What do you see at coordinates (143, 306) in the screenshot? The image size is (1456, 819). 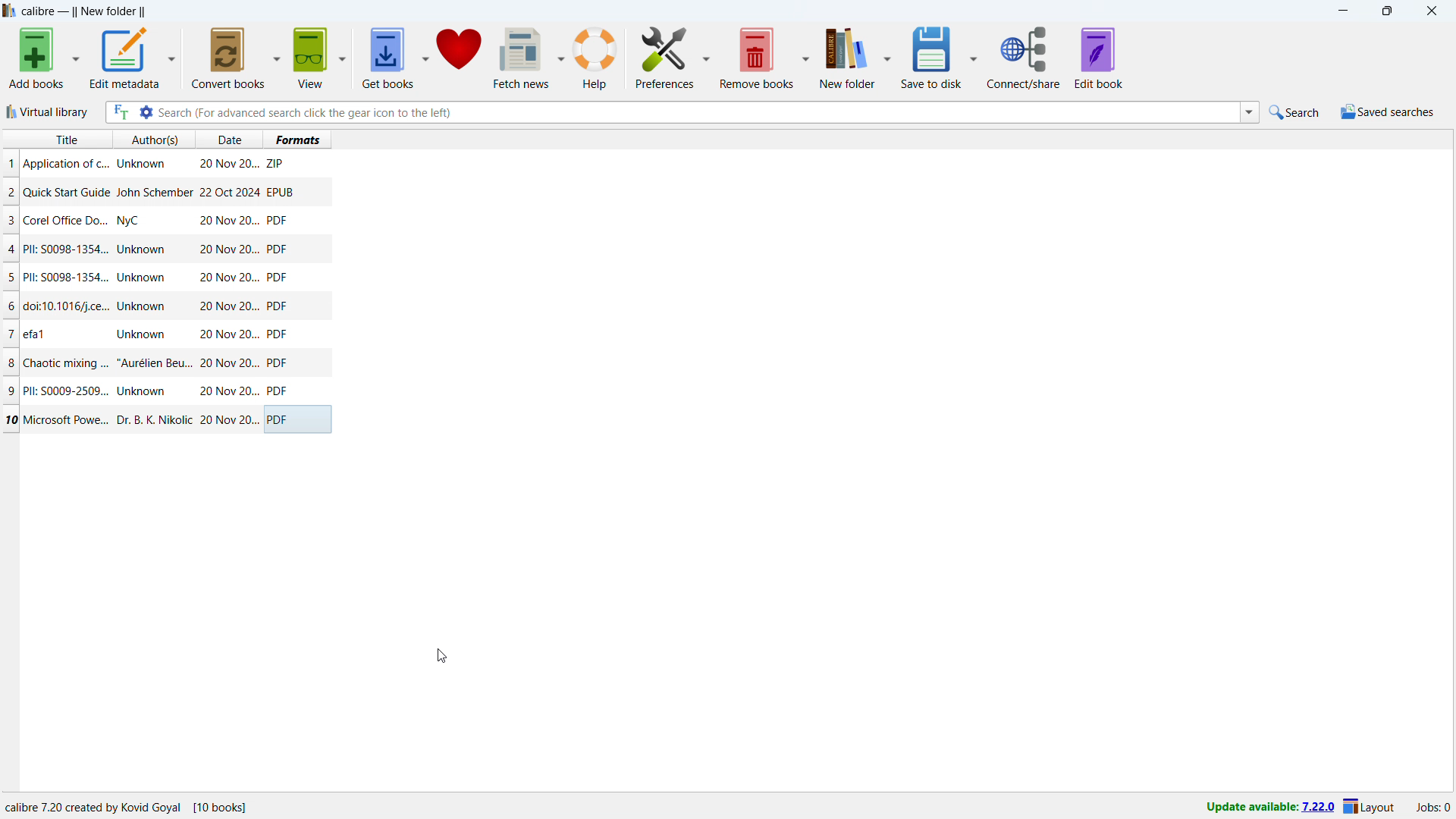 I see `Unknown` at bounding box center [143, 306].